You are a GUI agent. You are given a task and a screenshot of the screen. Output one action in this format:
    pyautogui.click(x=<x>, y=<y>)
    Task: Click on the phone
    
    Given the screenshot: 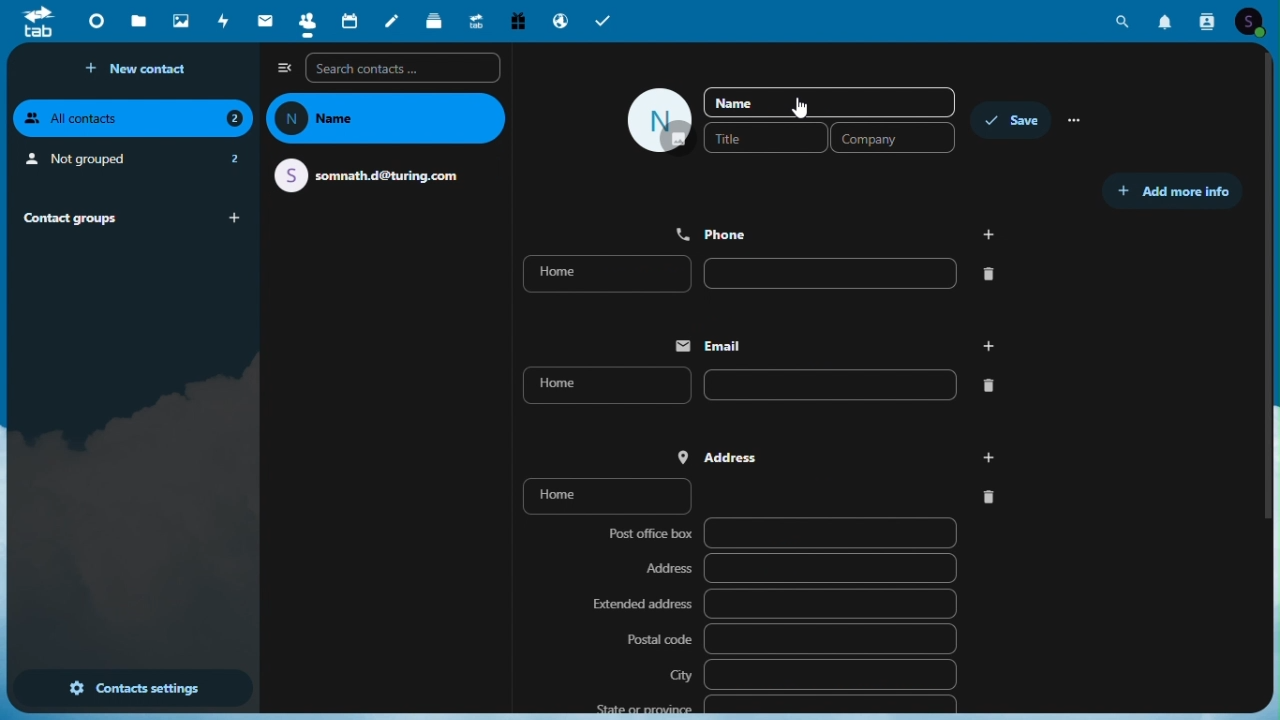 What is the action you would take?
    pyautogui.click(x=837, y=232)
    